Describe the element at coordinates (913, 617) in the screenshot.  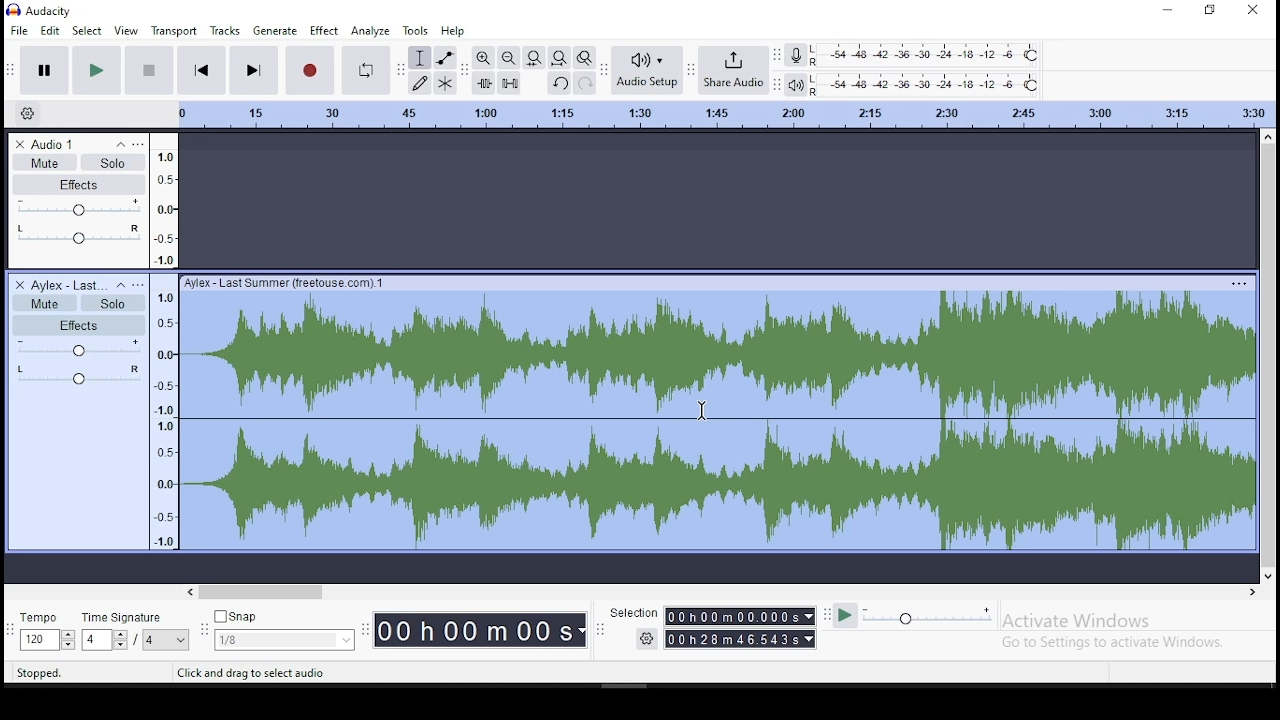
I see `plat at speed/ play at speed once` at that location.